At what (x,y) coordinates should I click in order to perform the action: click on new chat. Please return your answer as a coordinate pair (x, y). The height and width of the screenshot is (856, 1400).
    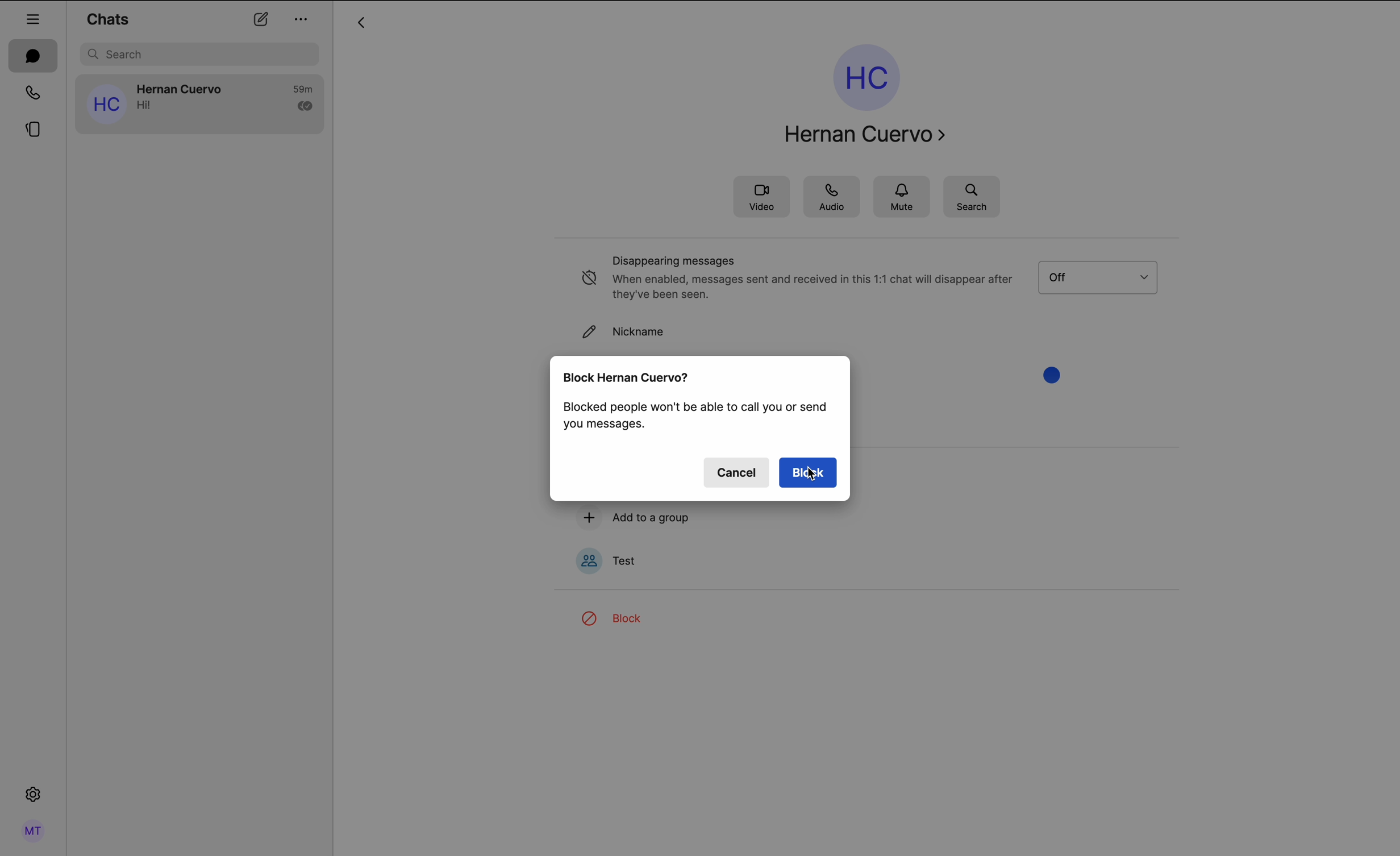
    Looking at the image, I should click on (261, 20).